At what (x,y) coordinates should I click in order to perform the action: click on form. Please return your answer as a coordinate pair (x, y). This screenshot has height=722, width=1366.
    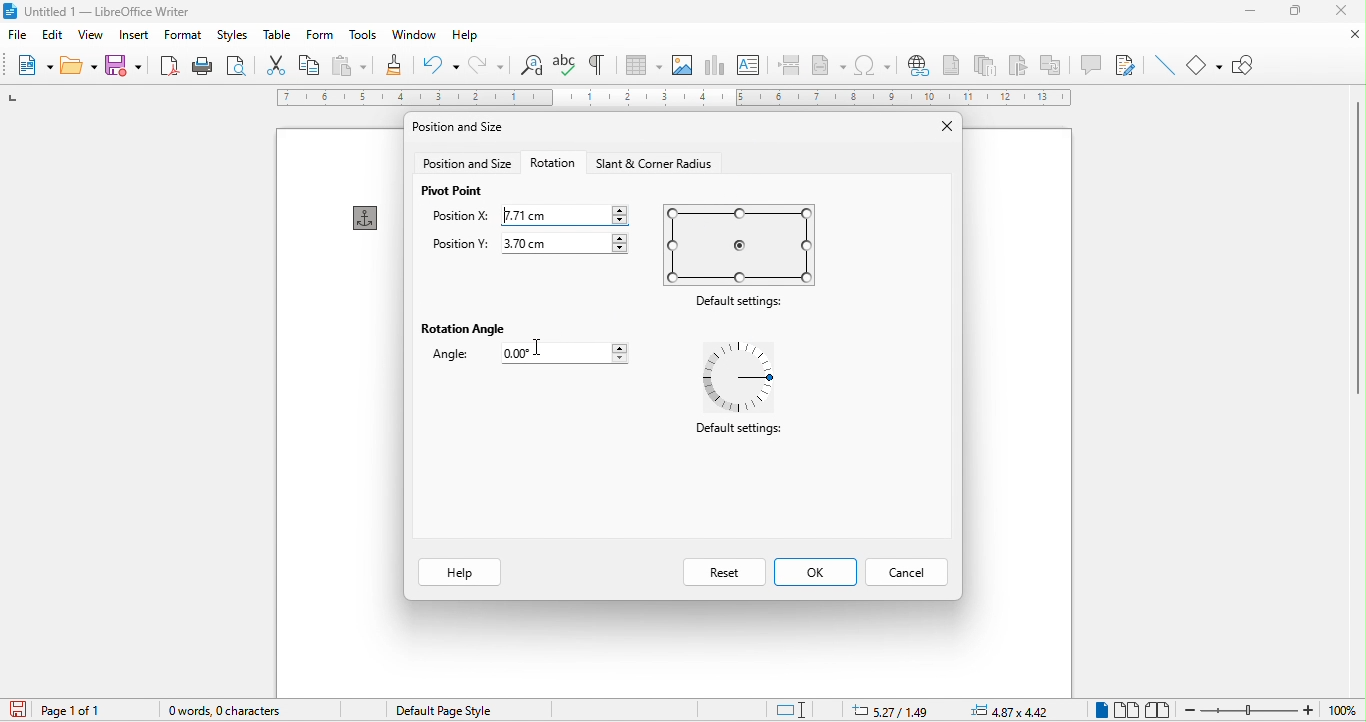
    Looking at the image, I should click on (316, 36).